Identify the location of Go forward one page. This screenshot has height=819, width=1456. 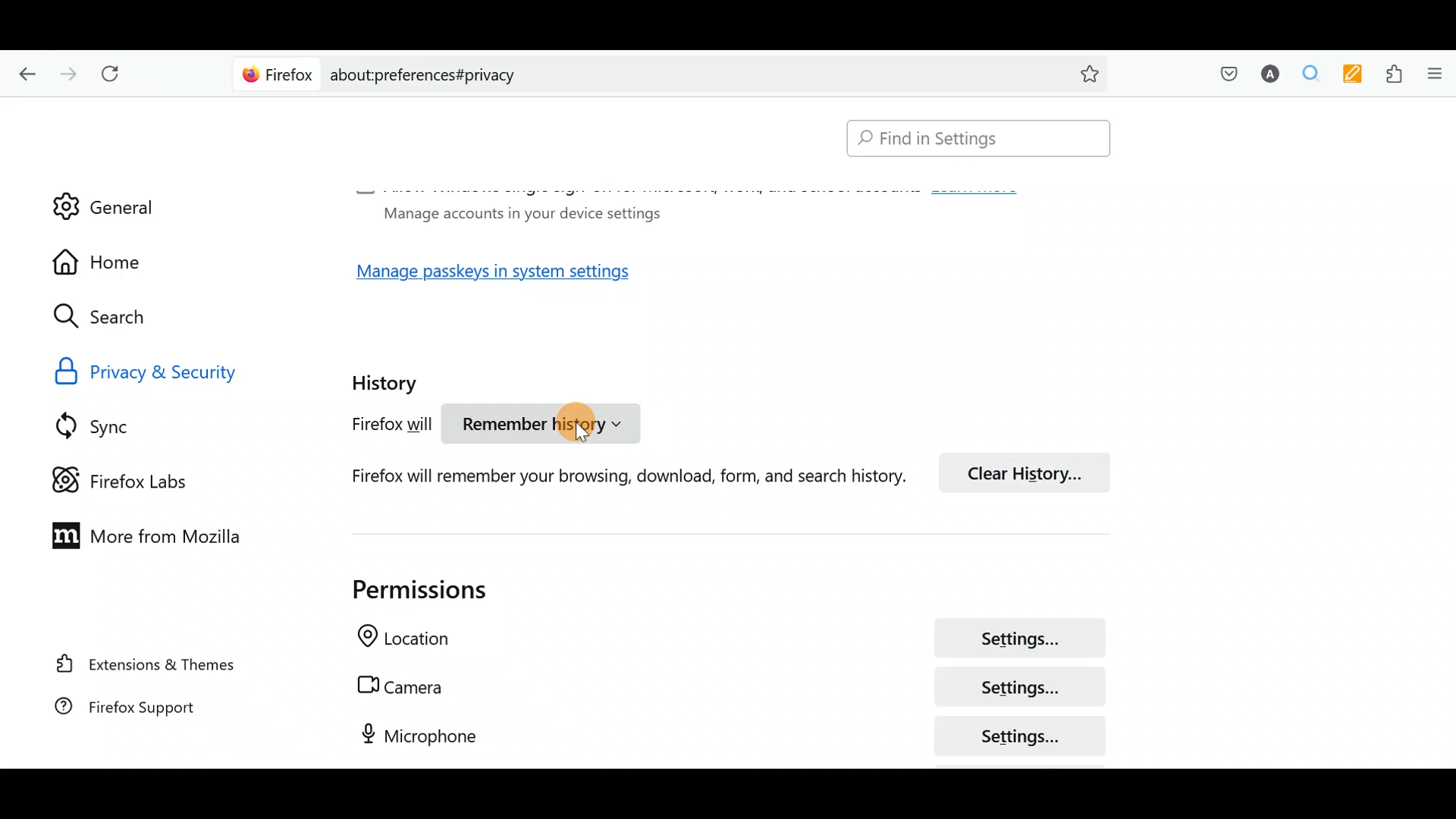
(67, 70).